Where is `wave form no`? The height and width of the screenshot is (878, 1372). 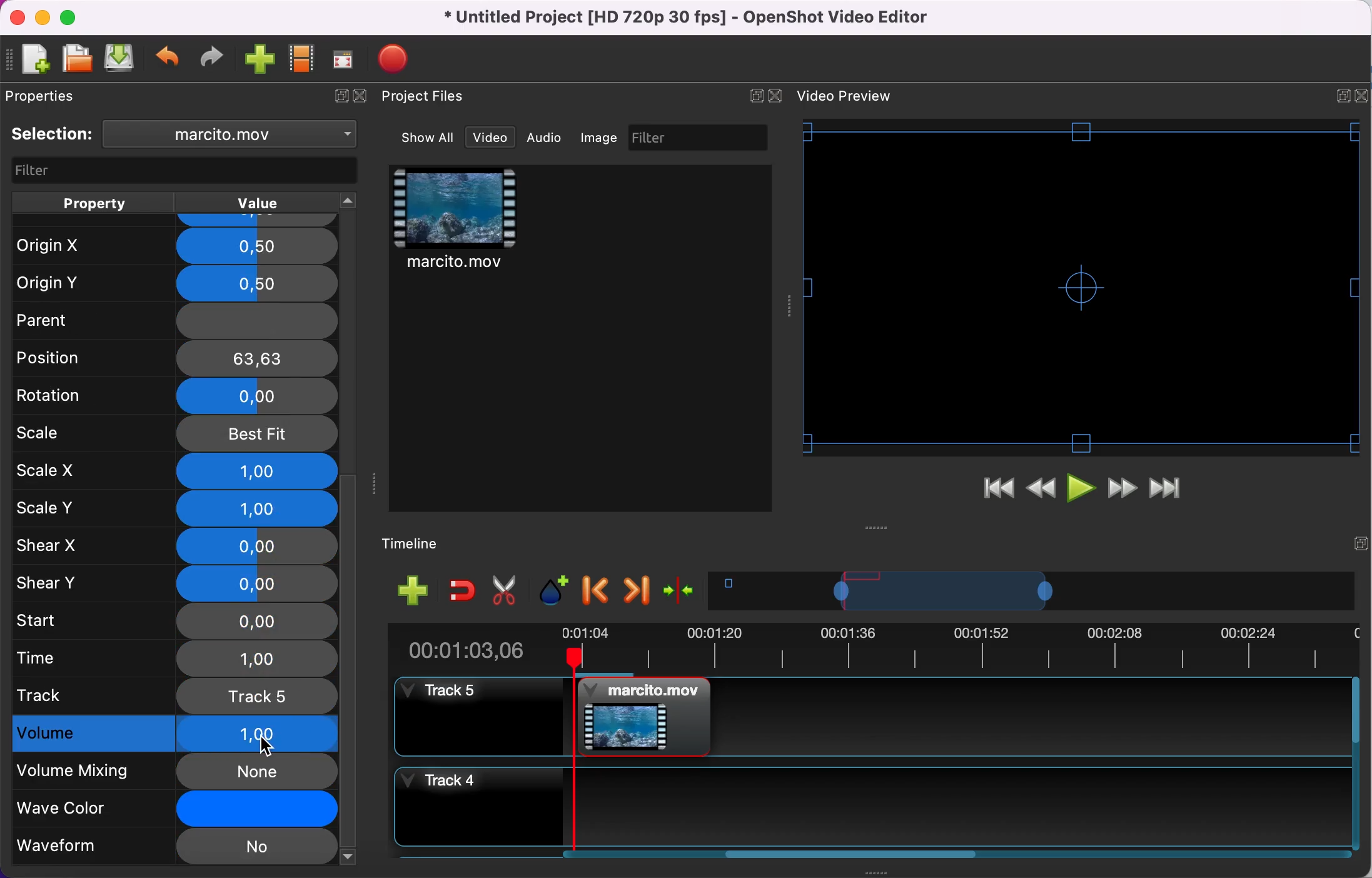
wave form no is located at coordinates (174, 848).